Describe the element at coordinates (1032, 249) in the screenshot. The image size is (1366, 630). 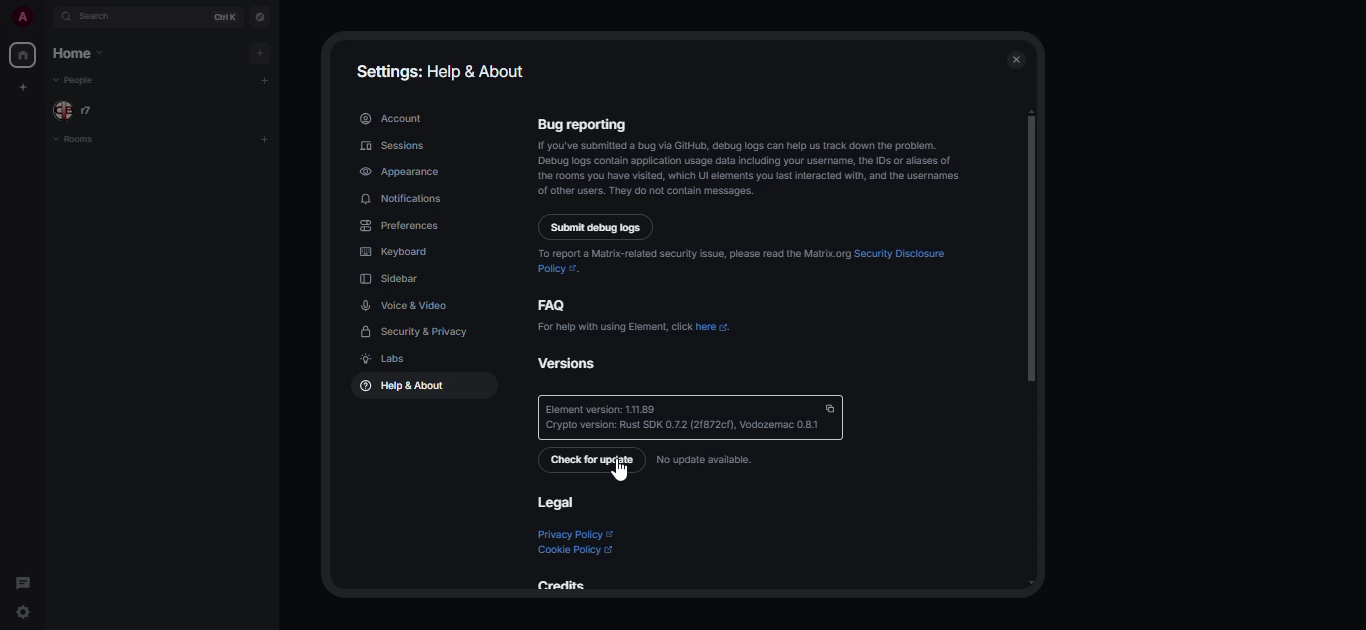
I see `scroll bar` at that location.